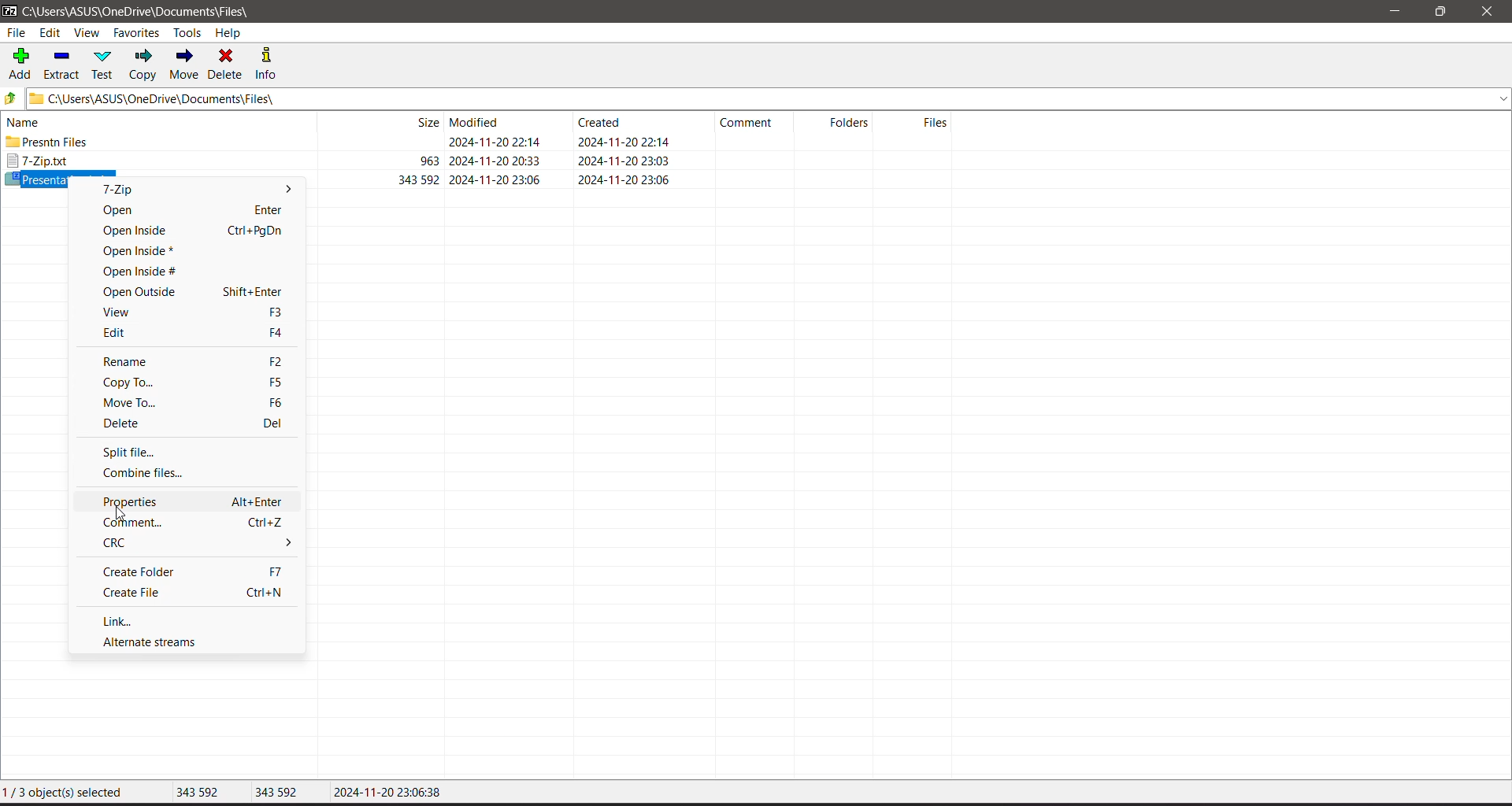  Describe the element at coordinates (190, 32) in the screenshot. I see `Tools` at that location.